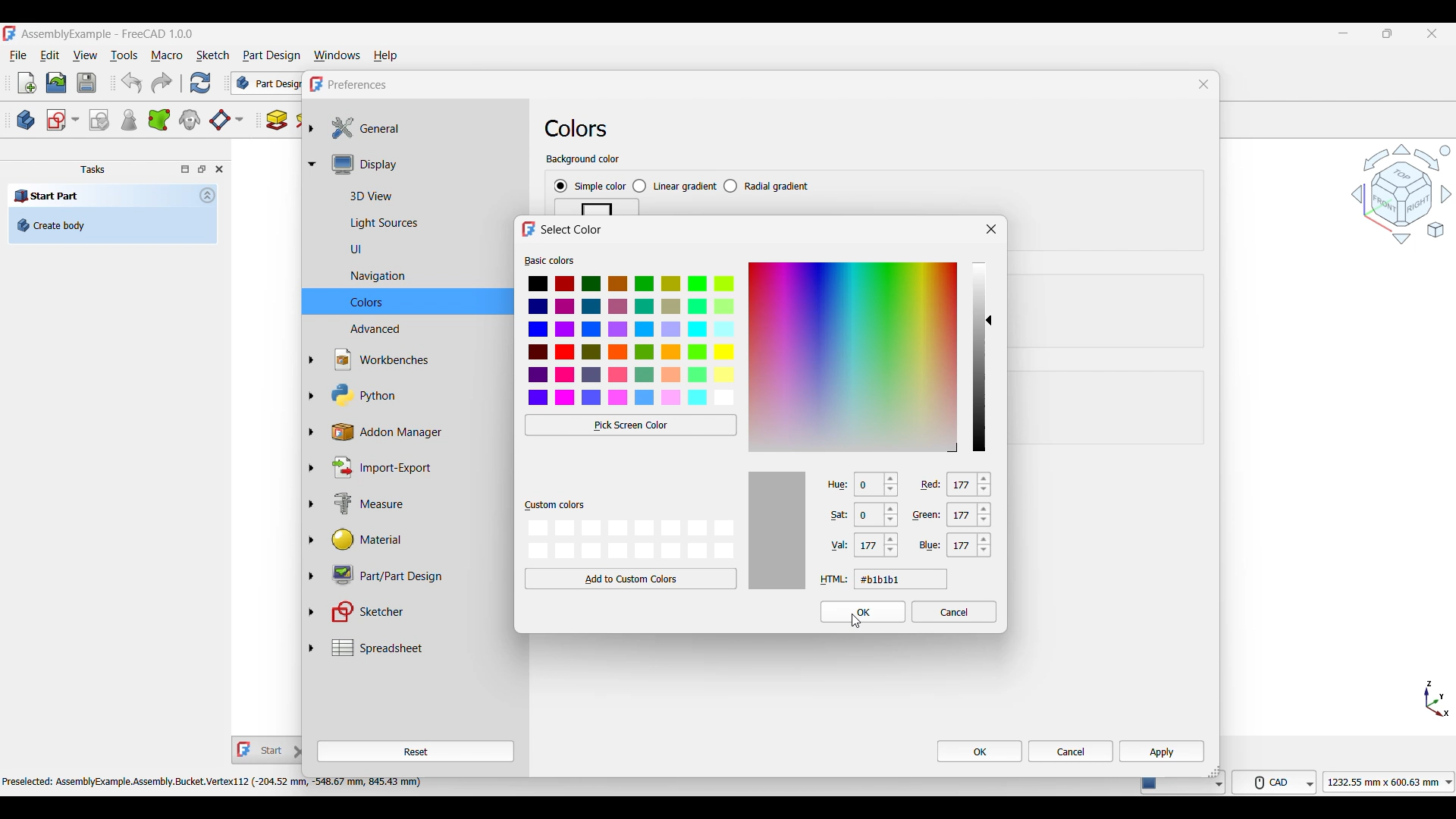 This screenshot has width=1456, height=819. I want to click on Create body, so click(26, 120).